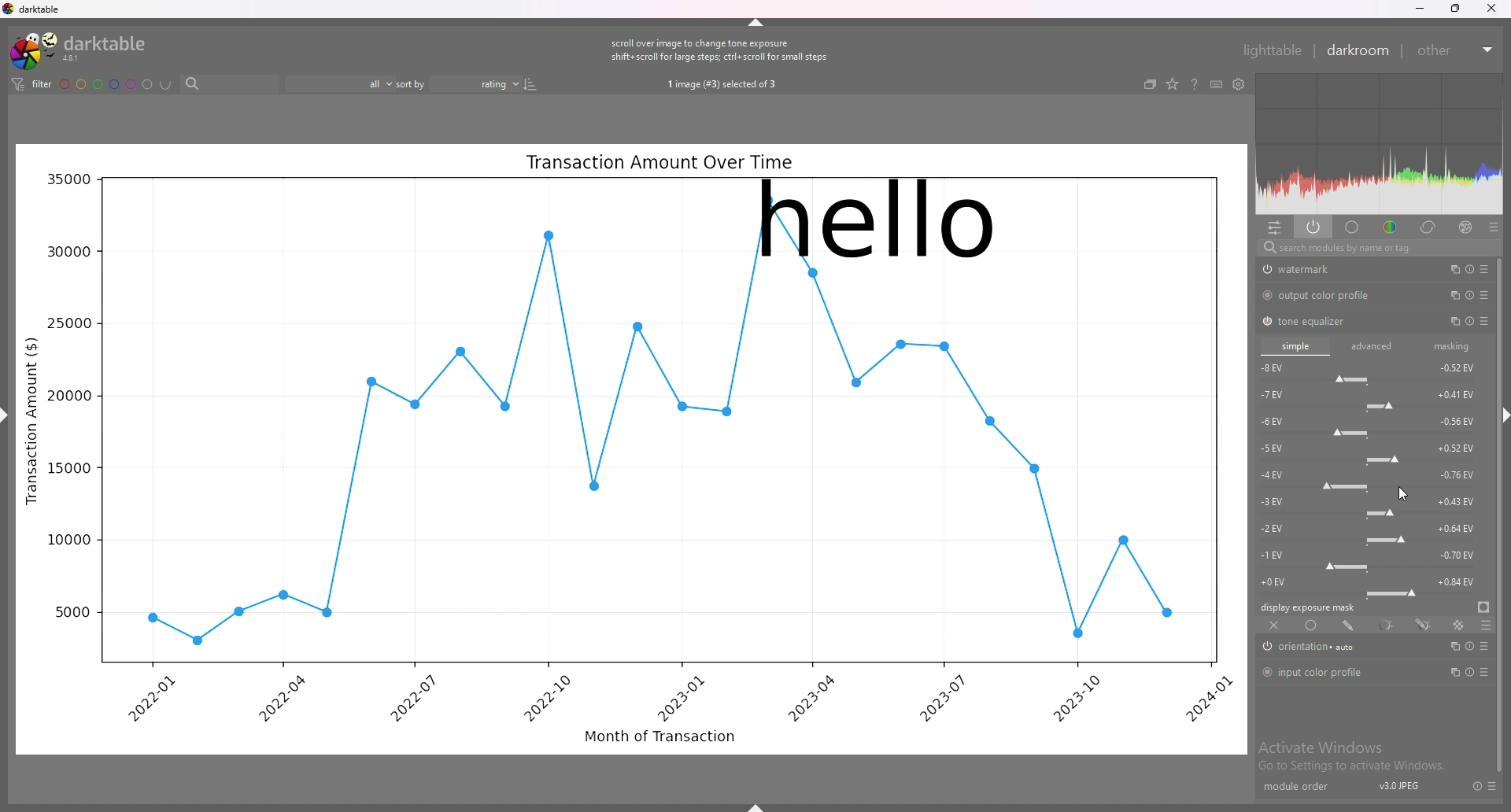  What do you see at coordinates (1484, 625) in the screenshot?
I see `blending options` at bounding box center [1484, 625].